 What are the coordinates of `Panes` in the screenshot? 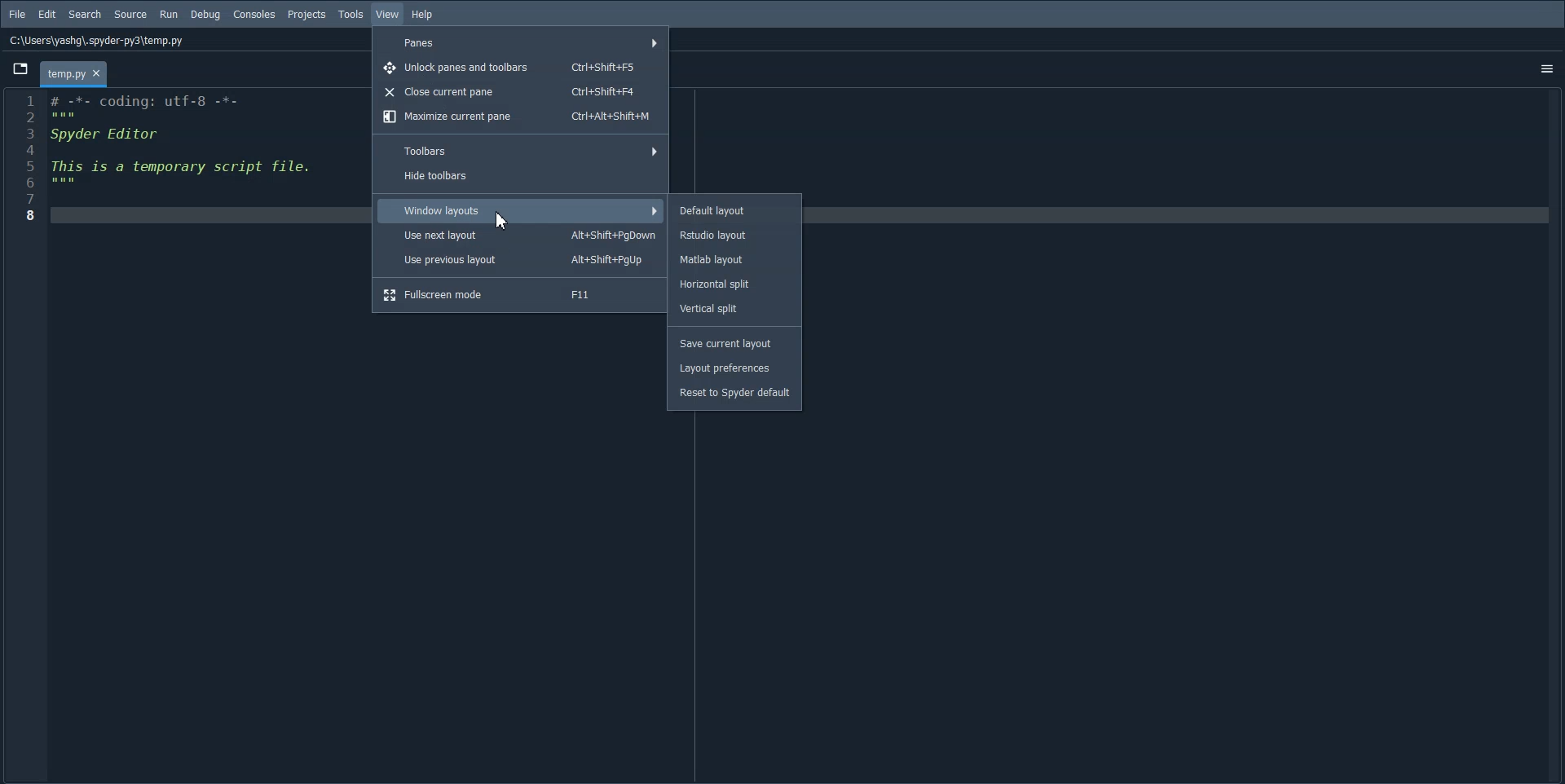 It's located at (522, 41).